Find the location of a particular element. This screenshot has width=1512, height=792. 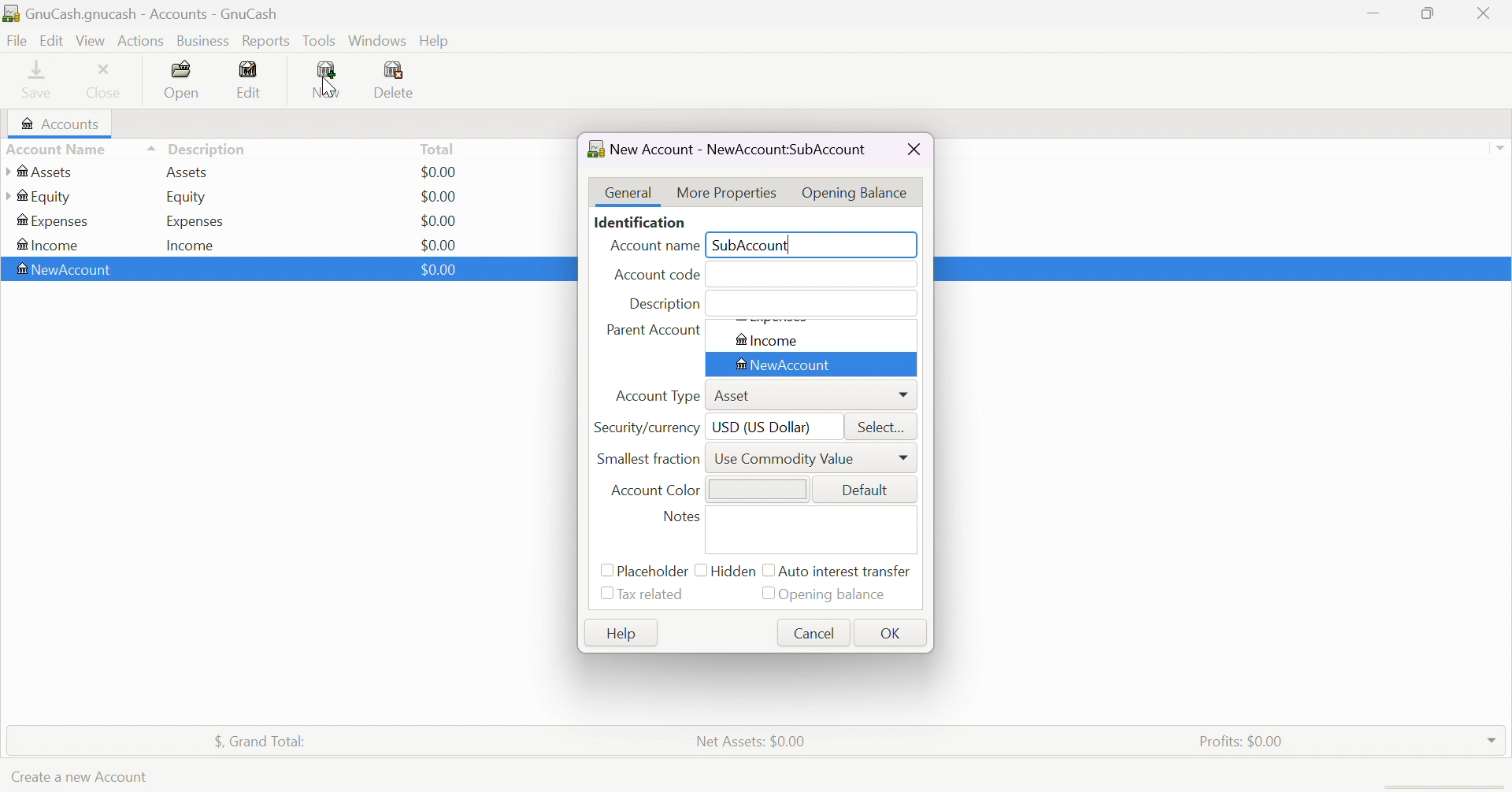

Default is located at coordinates (866, 492).